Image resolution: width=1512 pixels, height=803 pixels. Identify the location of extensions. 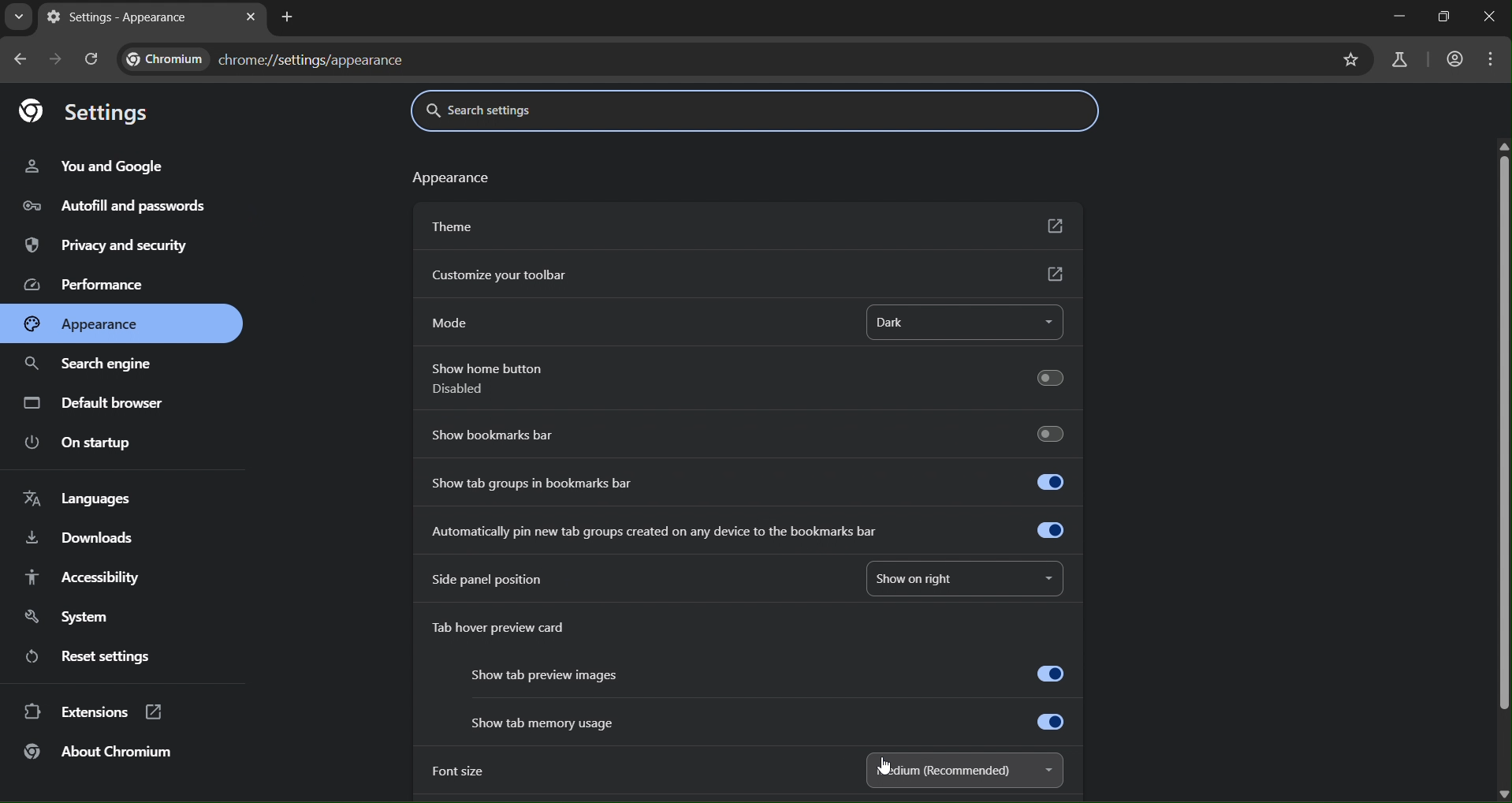
(94, 710).